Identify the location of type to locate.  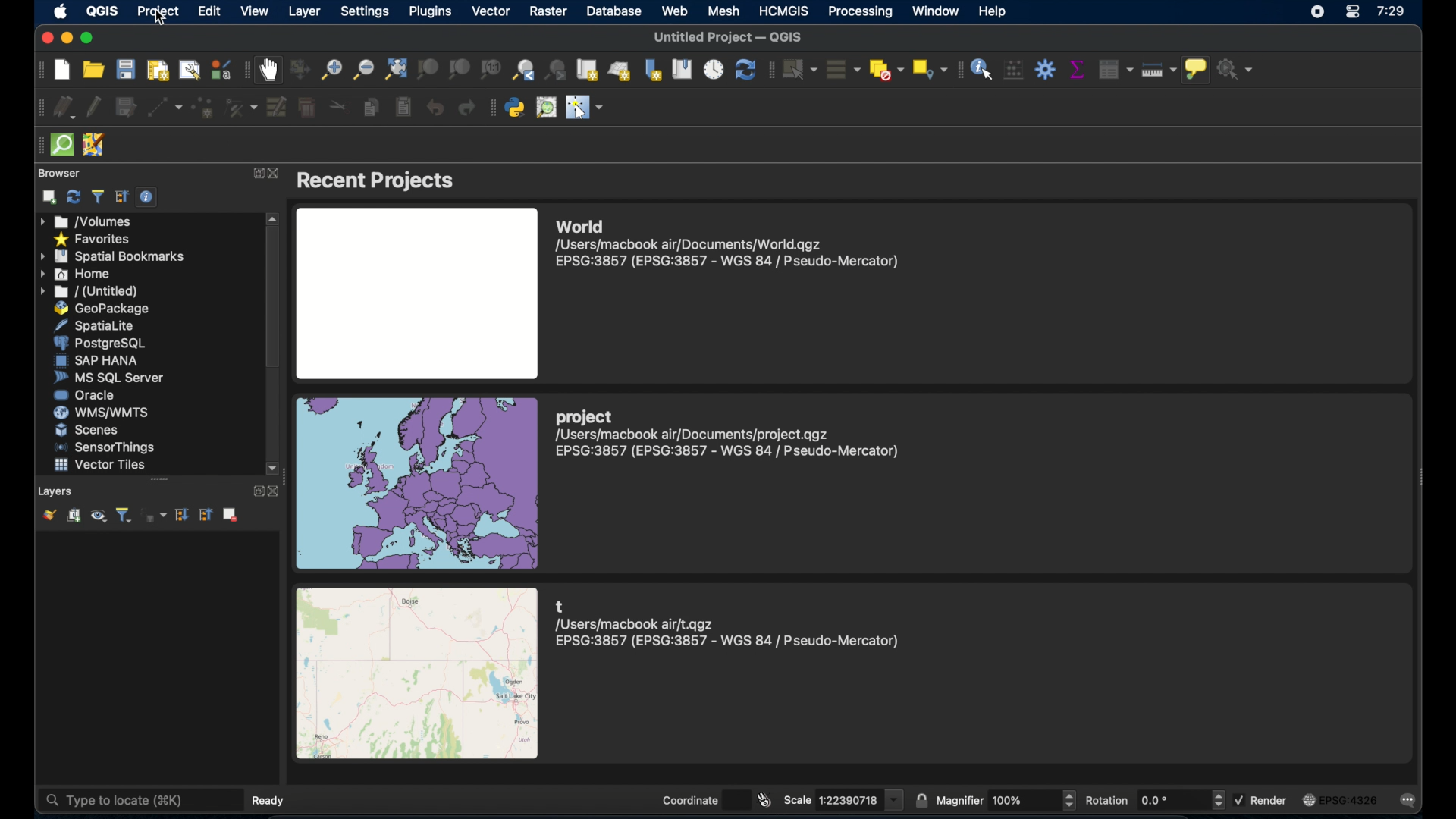
(140, 800).